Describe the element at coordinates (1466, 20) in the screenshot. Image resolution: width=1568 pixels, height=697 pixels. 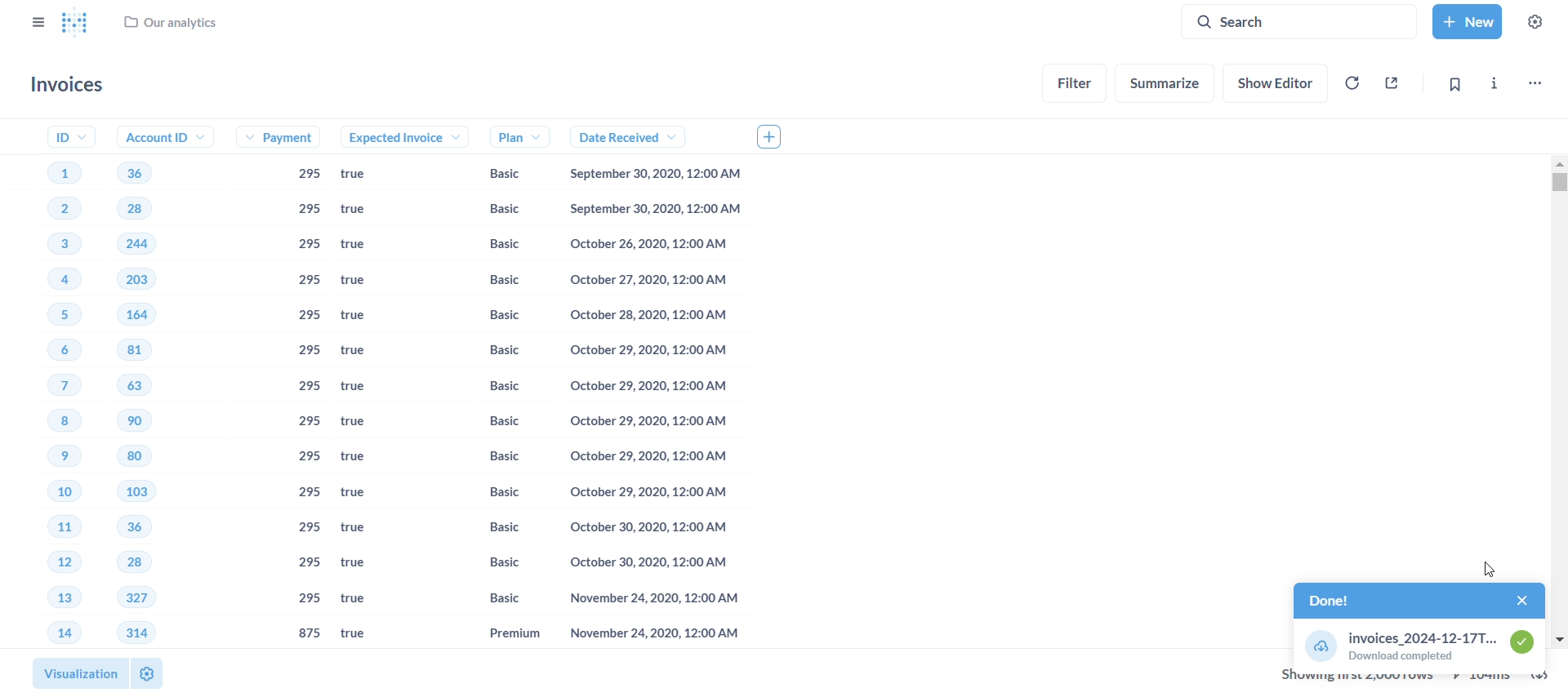
I see `new` at that location.